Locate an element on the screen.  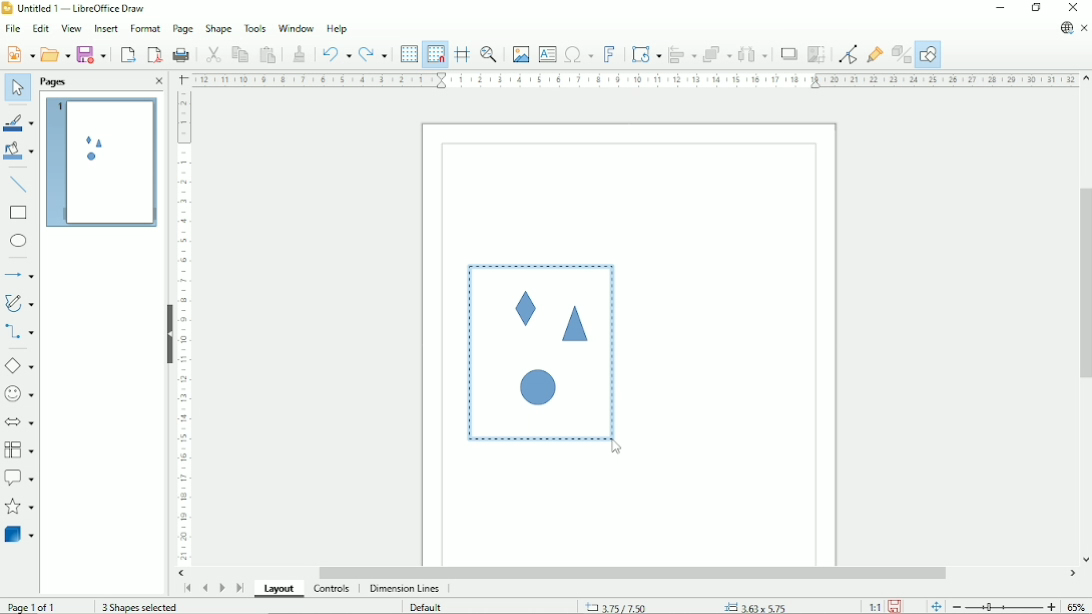
Page 1 of 1 is located at coordinates (32, 607).